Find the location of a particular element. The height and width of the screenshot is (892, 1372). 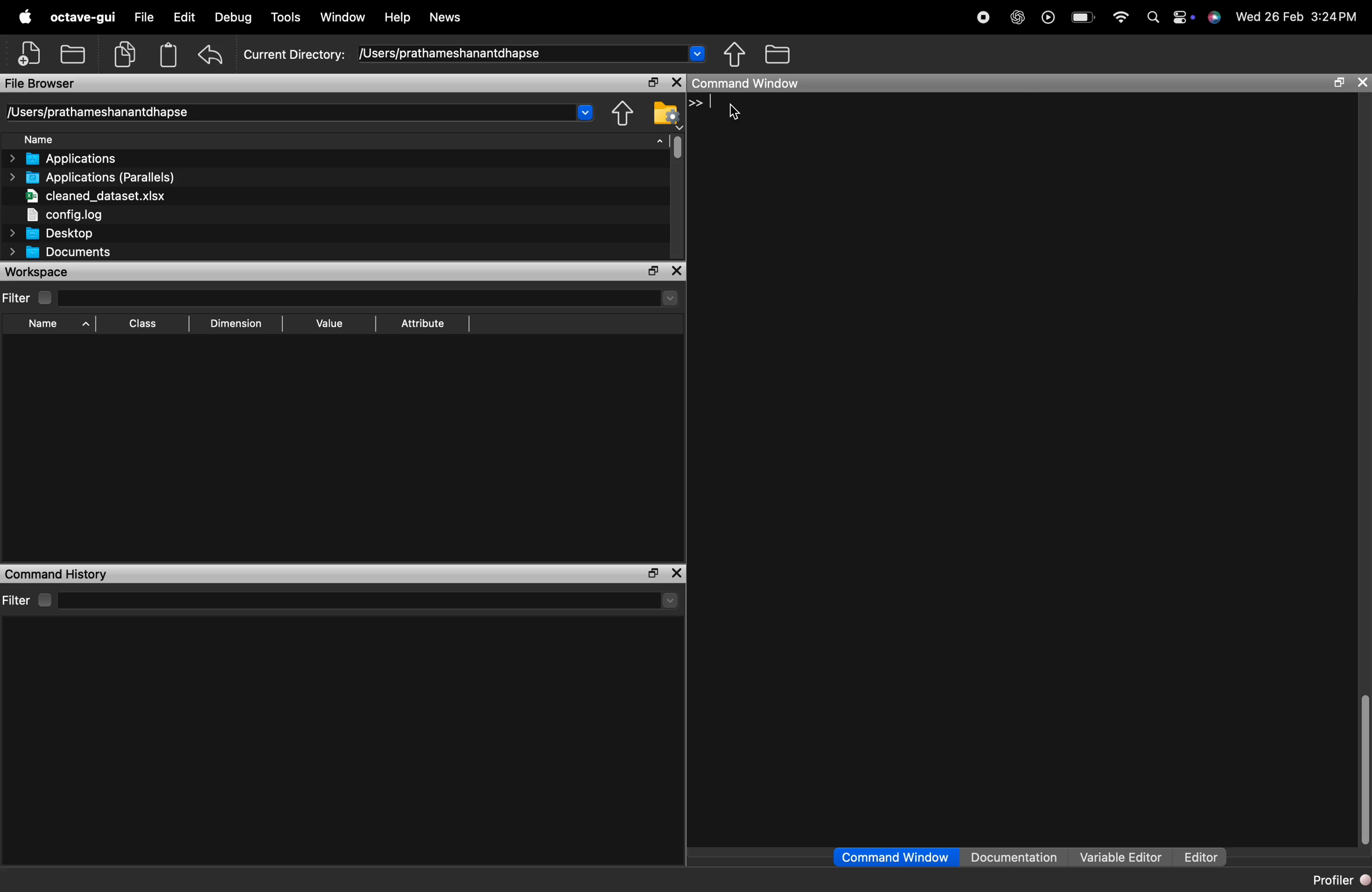

Users/prathameshanantdhapse  is located at coordinates (533, 53).